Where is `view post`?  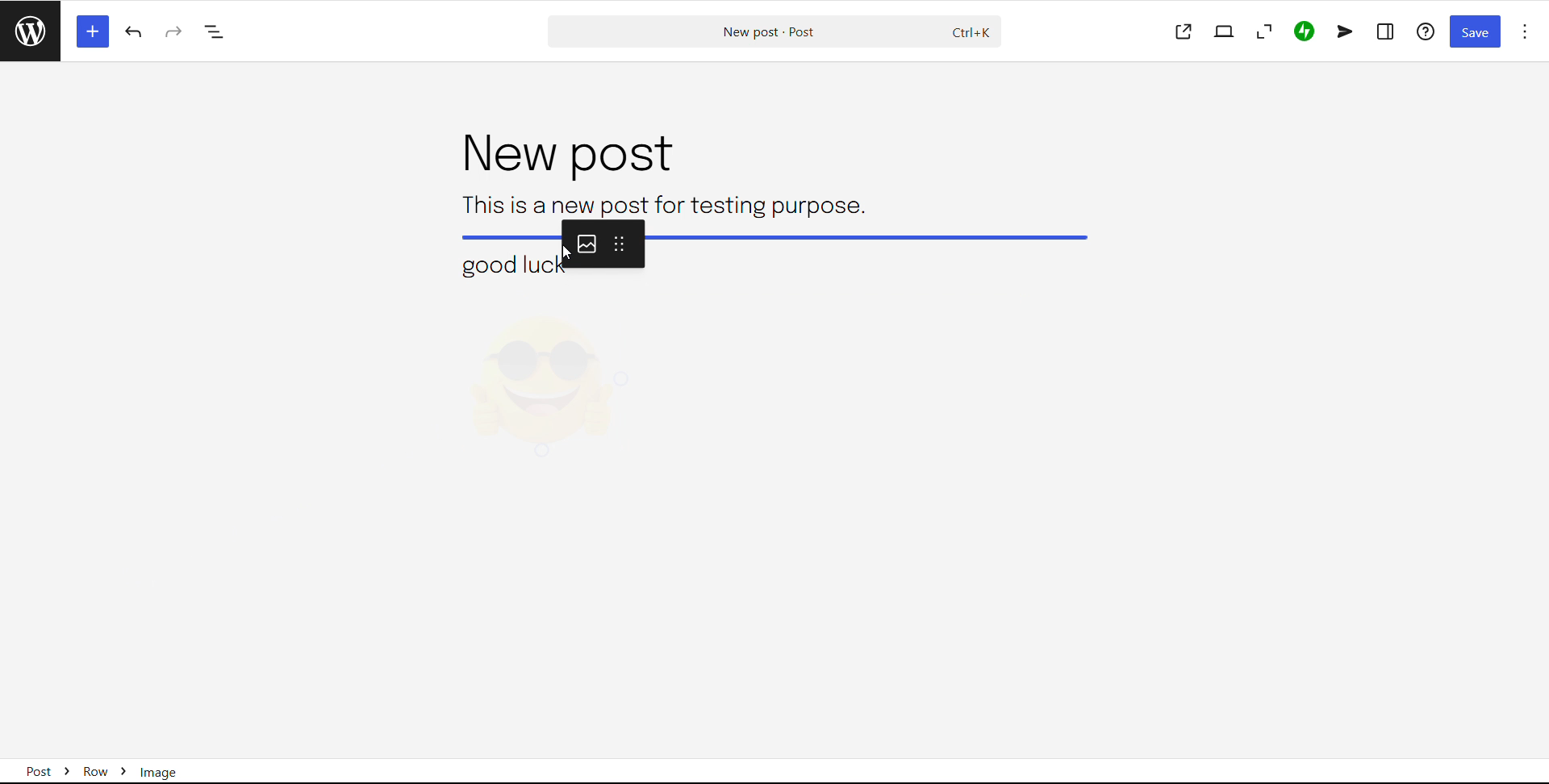
view post is located at coordinates (1184, 32).